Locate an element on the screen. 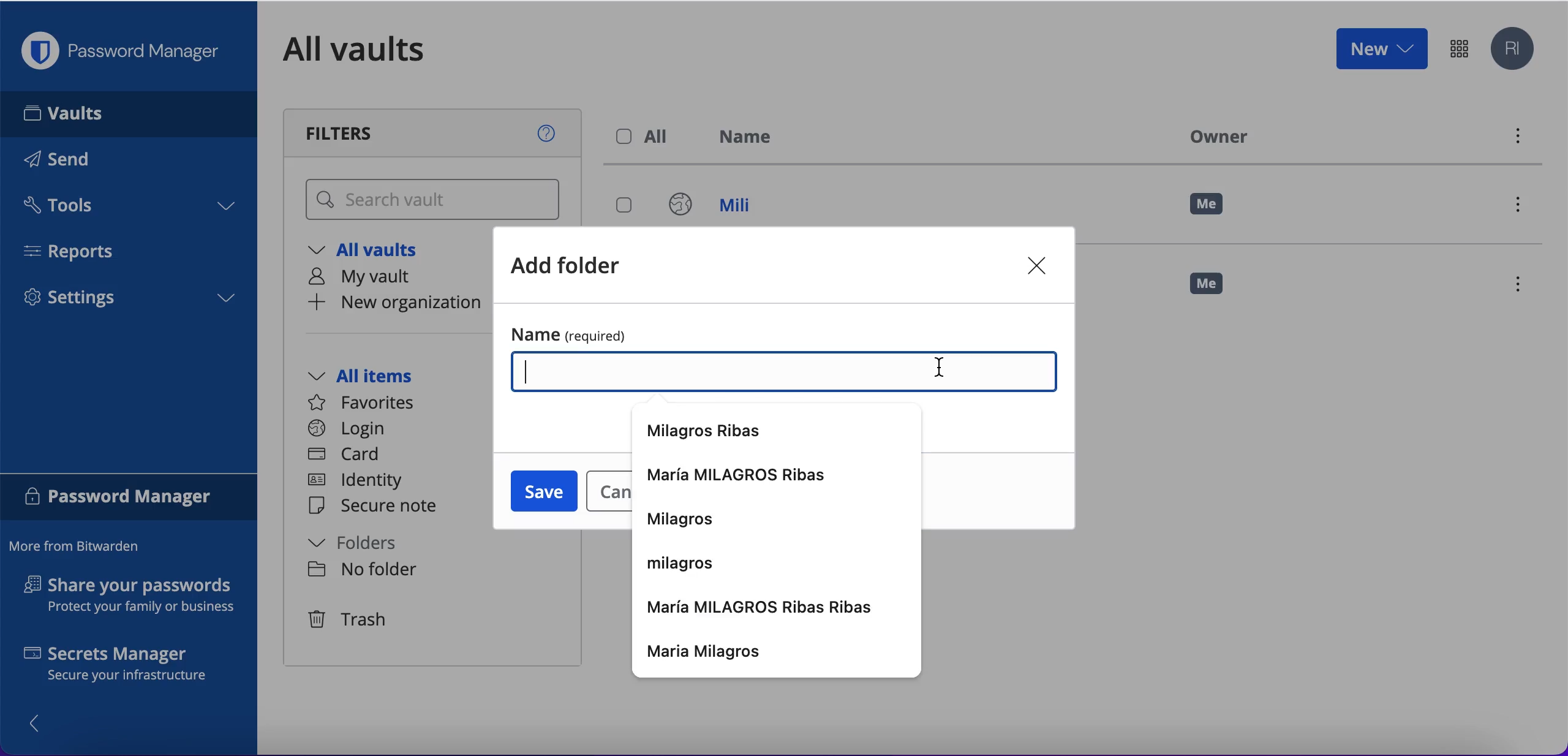  milagros is located at coordinates (685, 561).